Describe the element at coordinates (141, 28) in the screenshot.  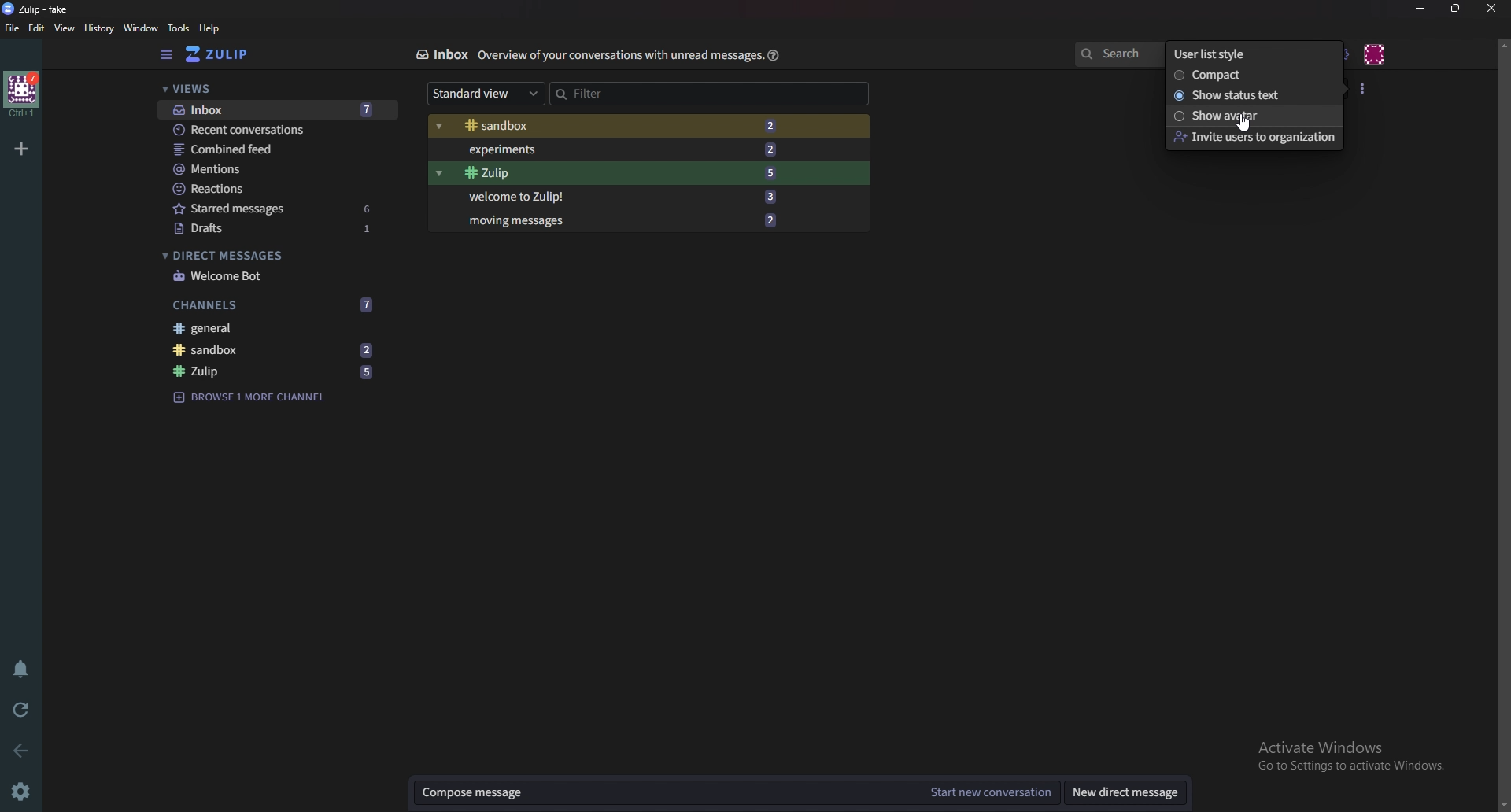
I see `Window` at that location.